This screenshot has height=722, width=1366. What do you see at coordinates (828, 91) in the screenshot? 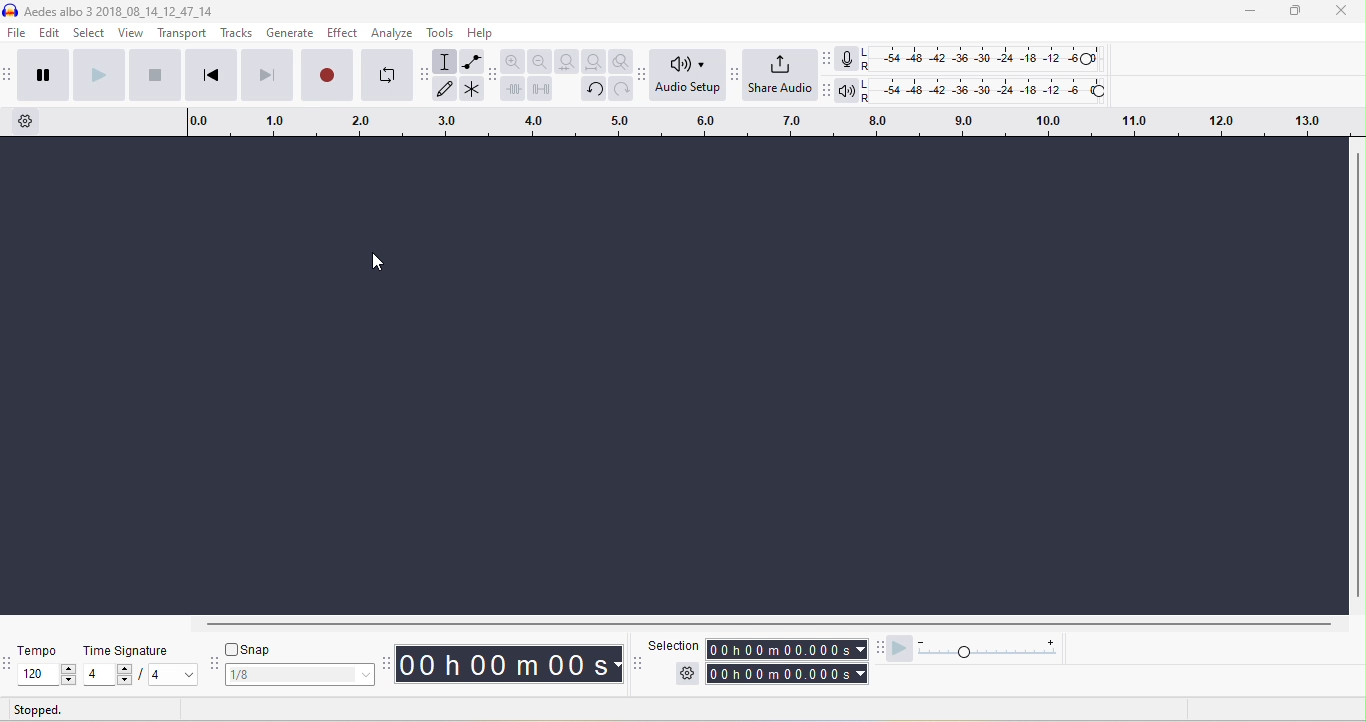
I see `Audacity playback meter toolbar` at bounding box center [828, 91].